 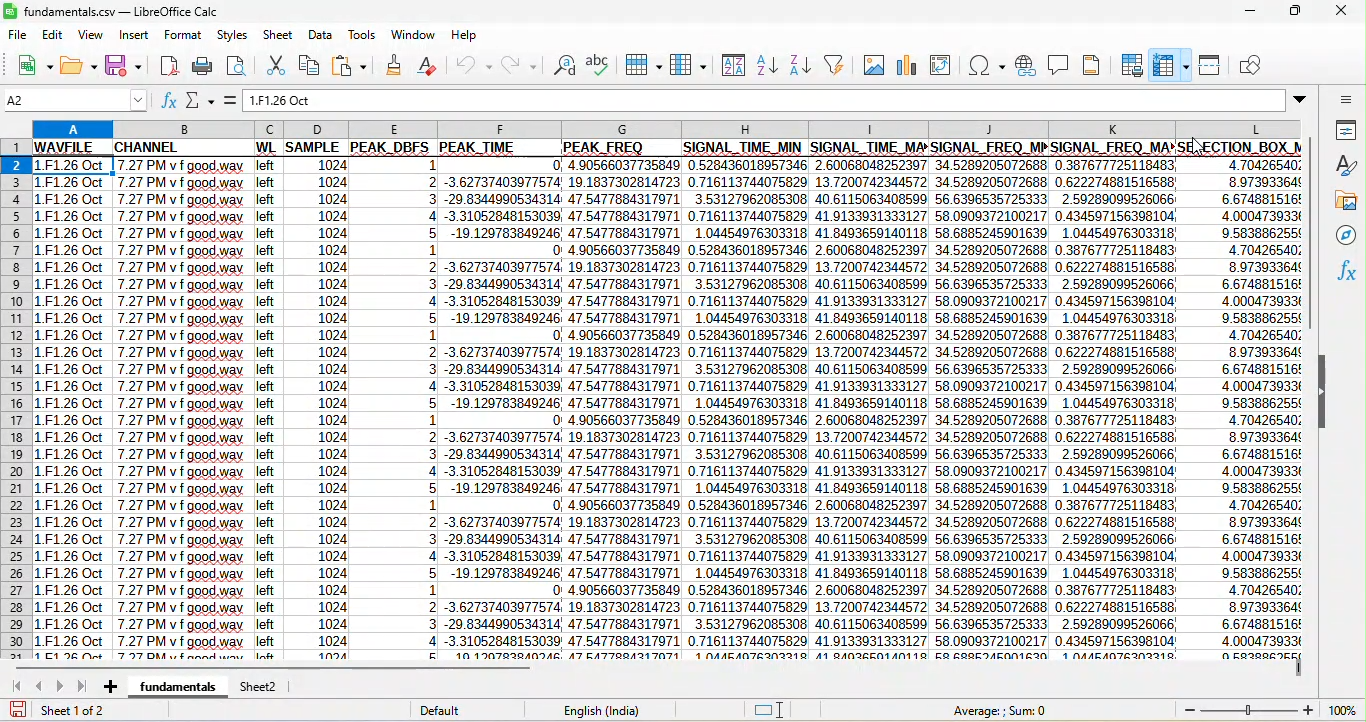 What do you see at coordinates (415, 33) in the screenshot?
I see `window` at bounding box center [415, 33].